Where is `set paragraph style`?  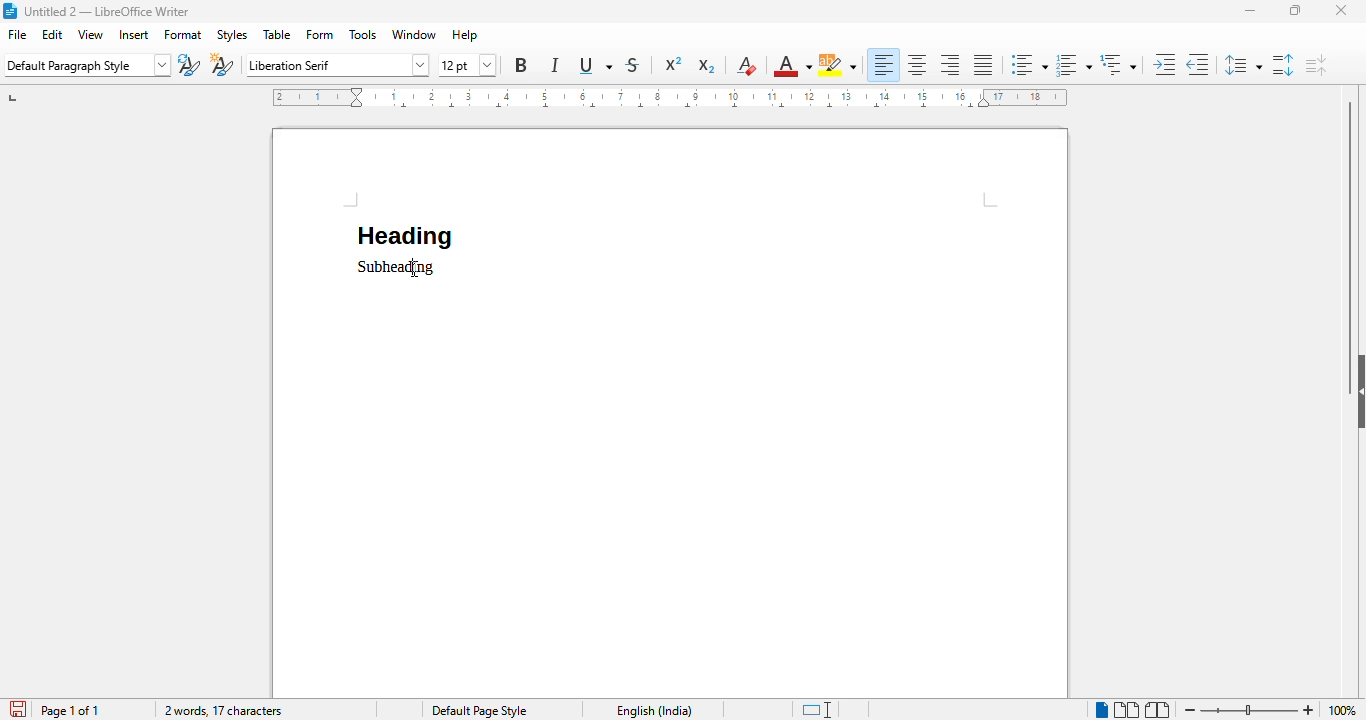 set paragraph style is located at coordinates (88, 66).